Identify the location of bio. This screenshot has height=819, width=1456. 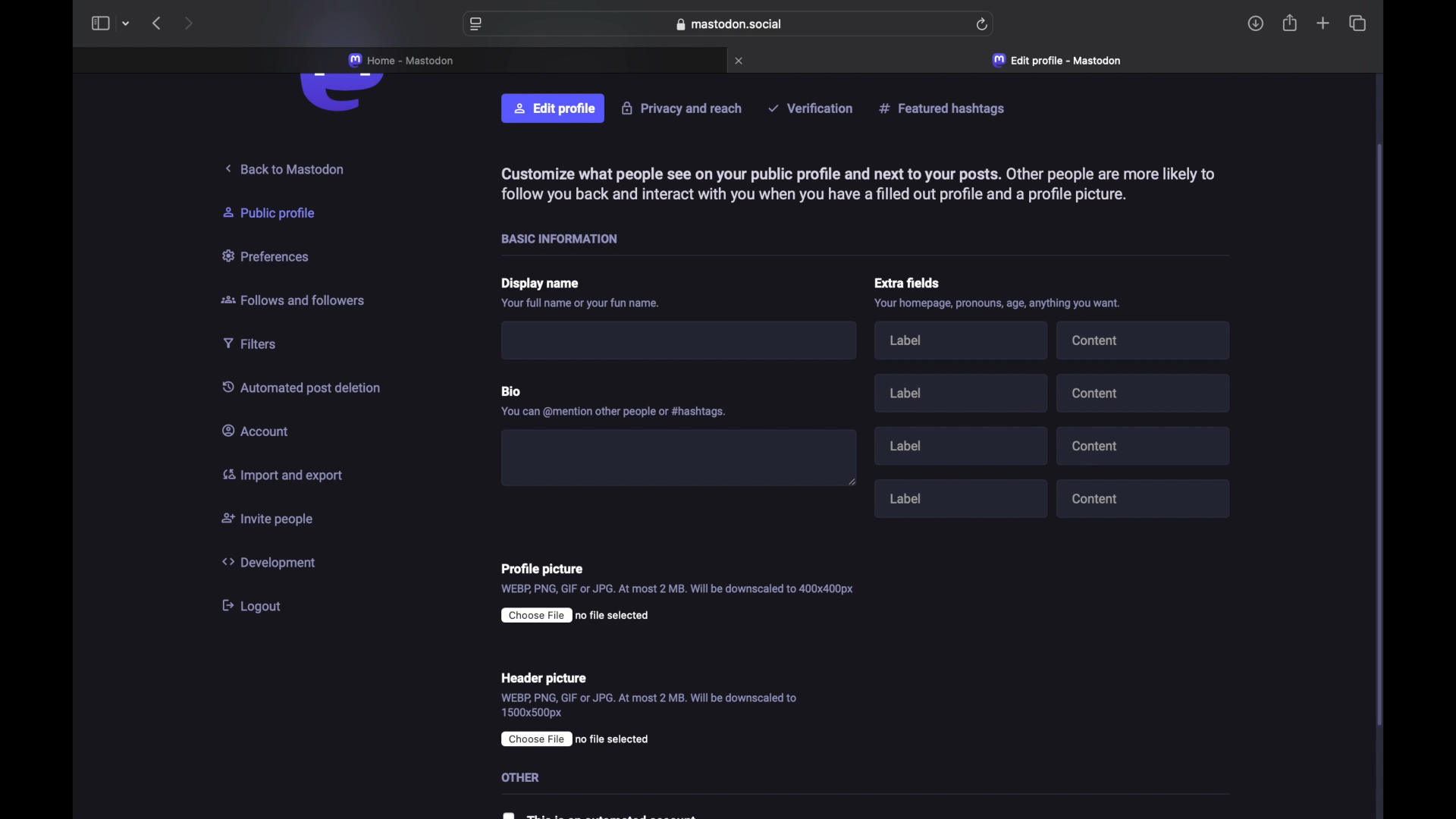
(513, 390).